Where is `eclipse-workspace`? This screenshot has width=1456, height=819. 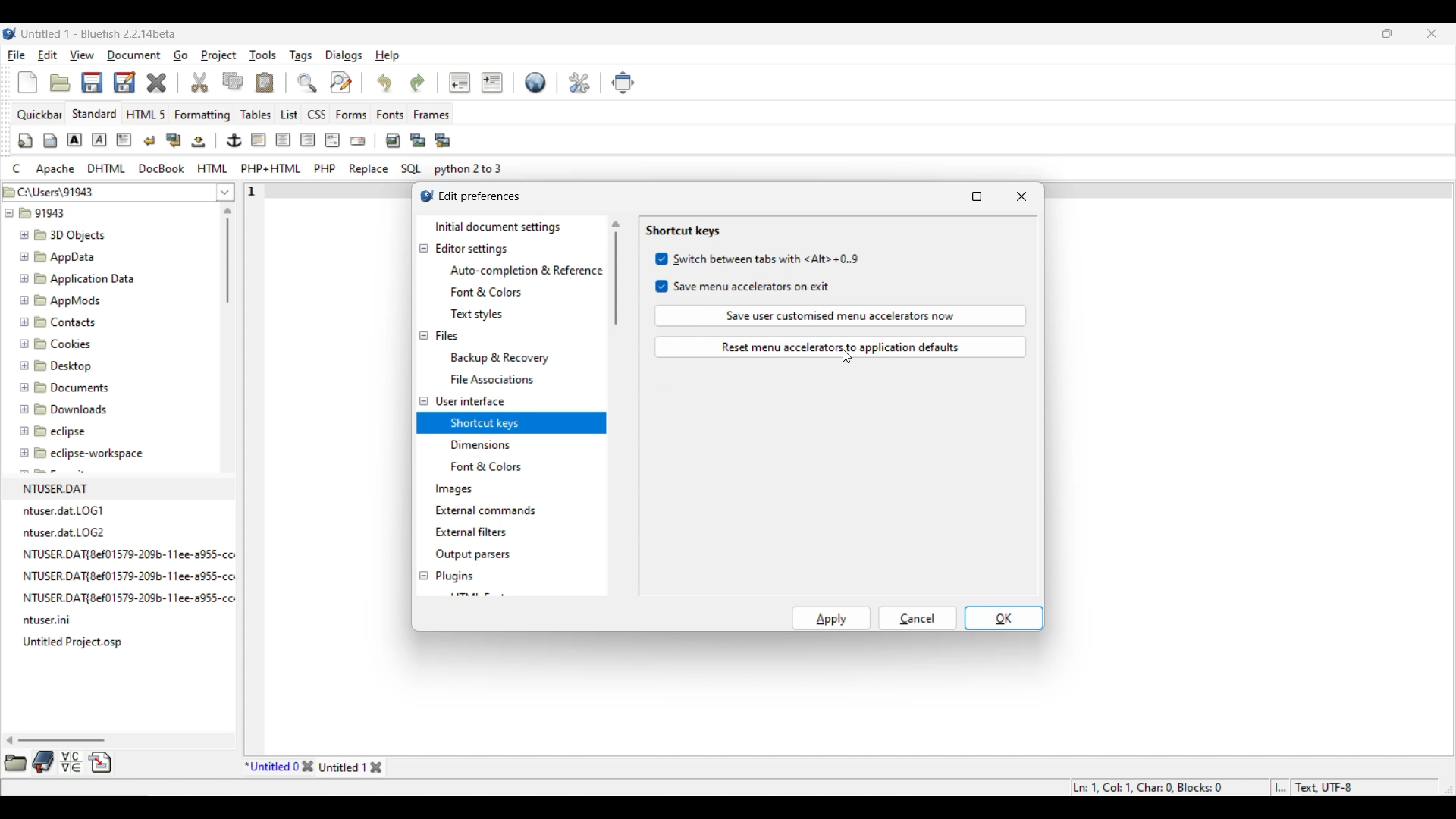 eclipse-workspace is located at coordinates (83, 457).